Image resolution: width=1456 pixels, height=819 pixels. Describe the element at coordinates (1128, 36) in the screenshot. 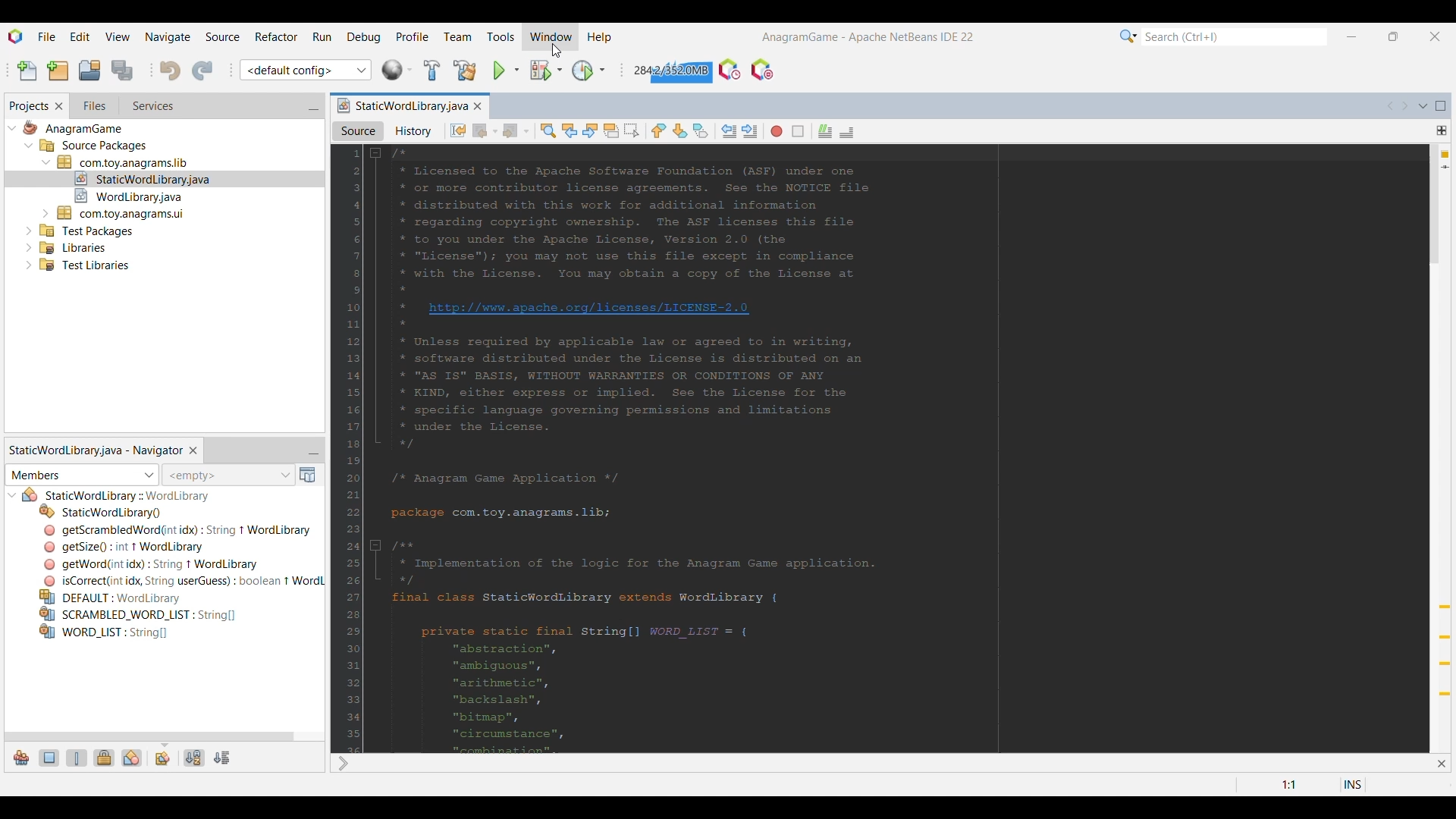

I see `Search options` at that location.